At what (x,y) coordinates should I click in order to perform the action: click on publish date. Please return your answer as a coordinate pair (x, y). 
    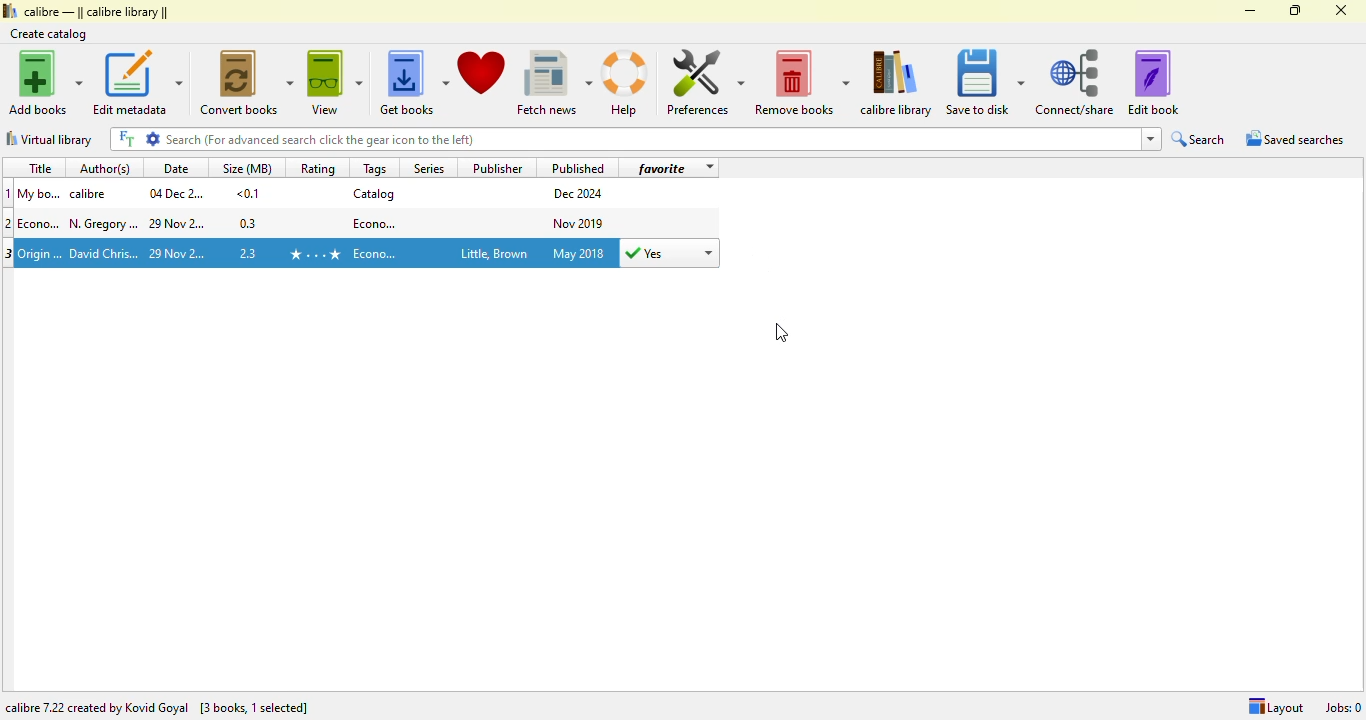
    Looking at the image, I should click on (580, 253).